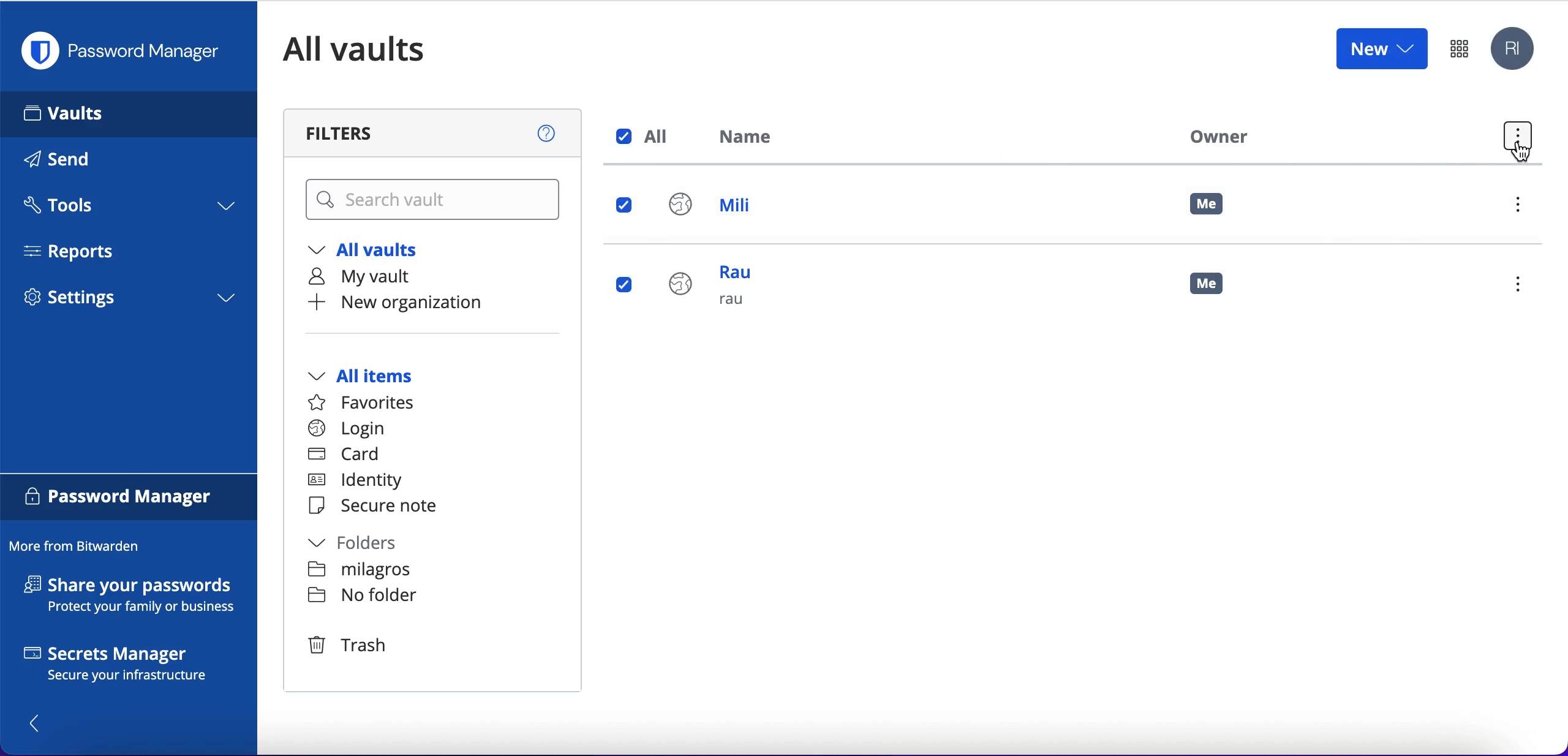 The height and width of the screenshot is (756, 1568). I want to click on password manager, so click(129, 499).